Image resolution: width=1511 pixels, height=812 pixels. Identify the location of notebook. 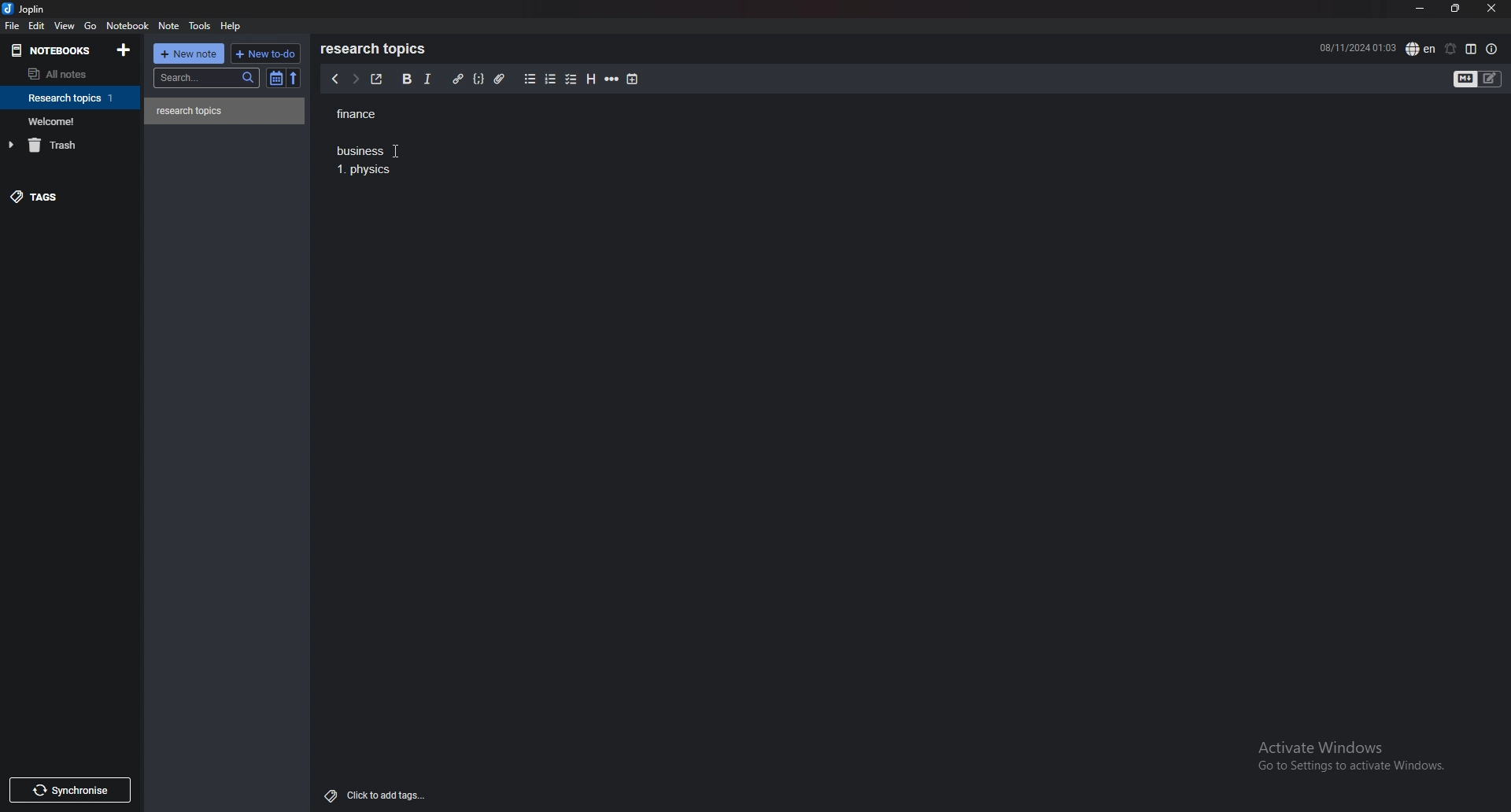
(129, 26).